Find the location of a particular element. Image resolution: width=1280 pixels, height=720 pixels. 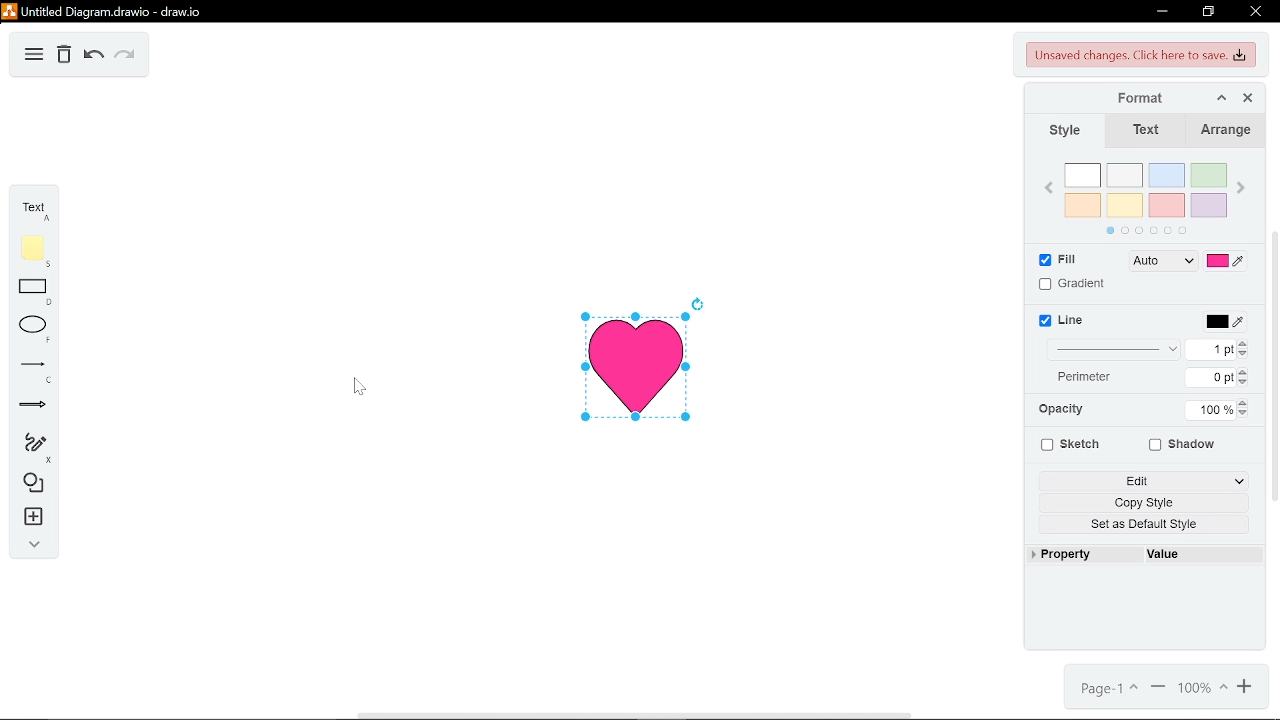

shadow is located at coordinates (1183, 446).